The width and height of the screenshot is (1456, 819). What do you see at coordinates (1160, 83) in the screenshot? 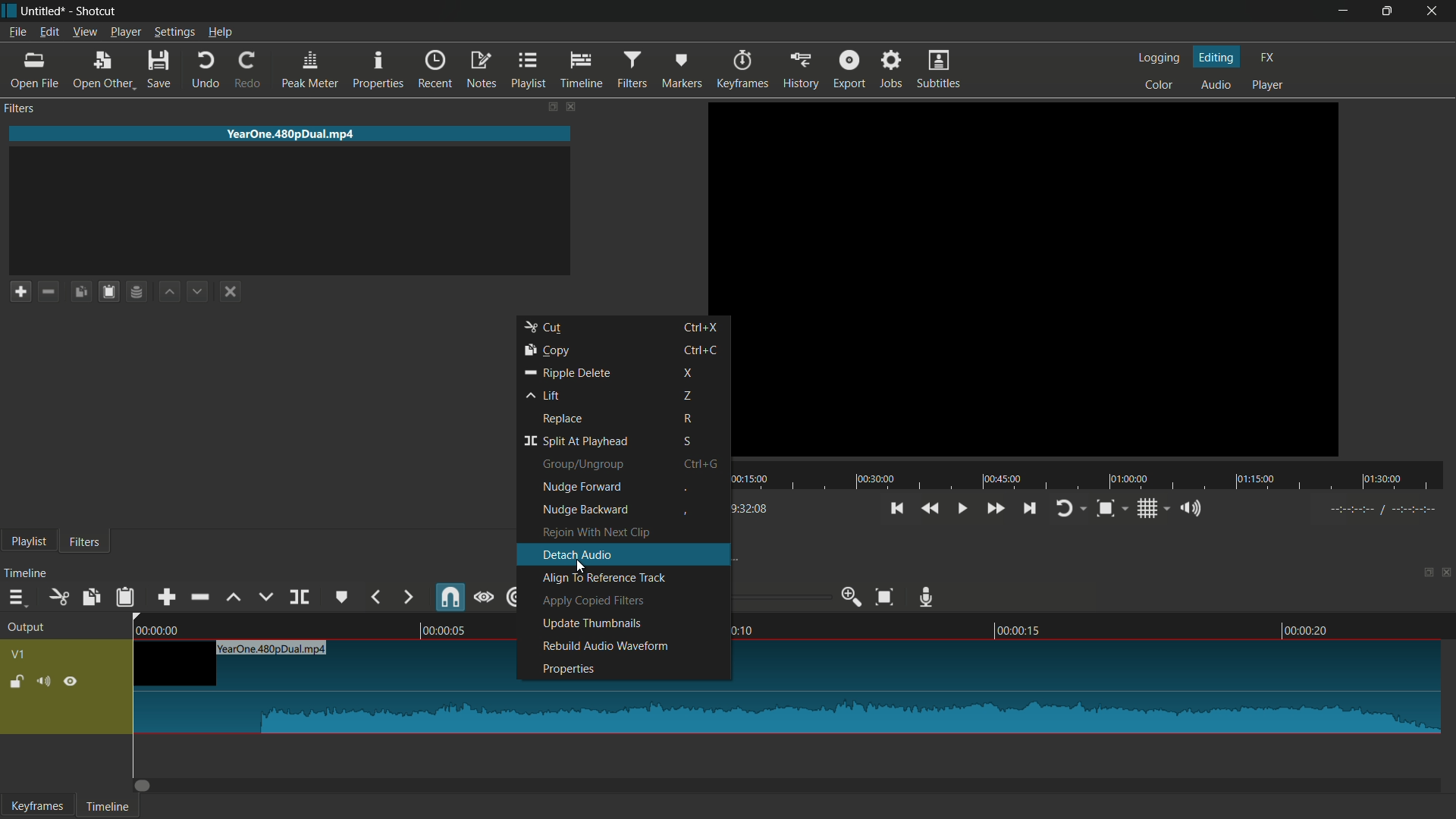
I see `color` at bounding box center [1160, 83].